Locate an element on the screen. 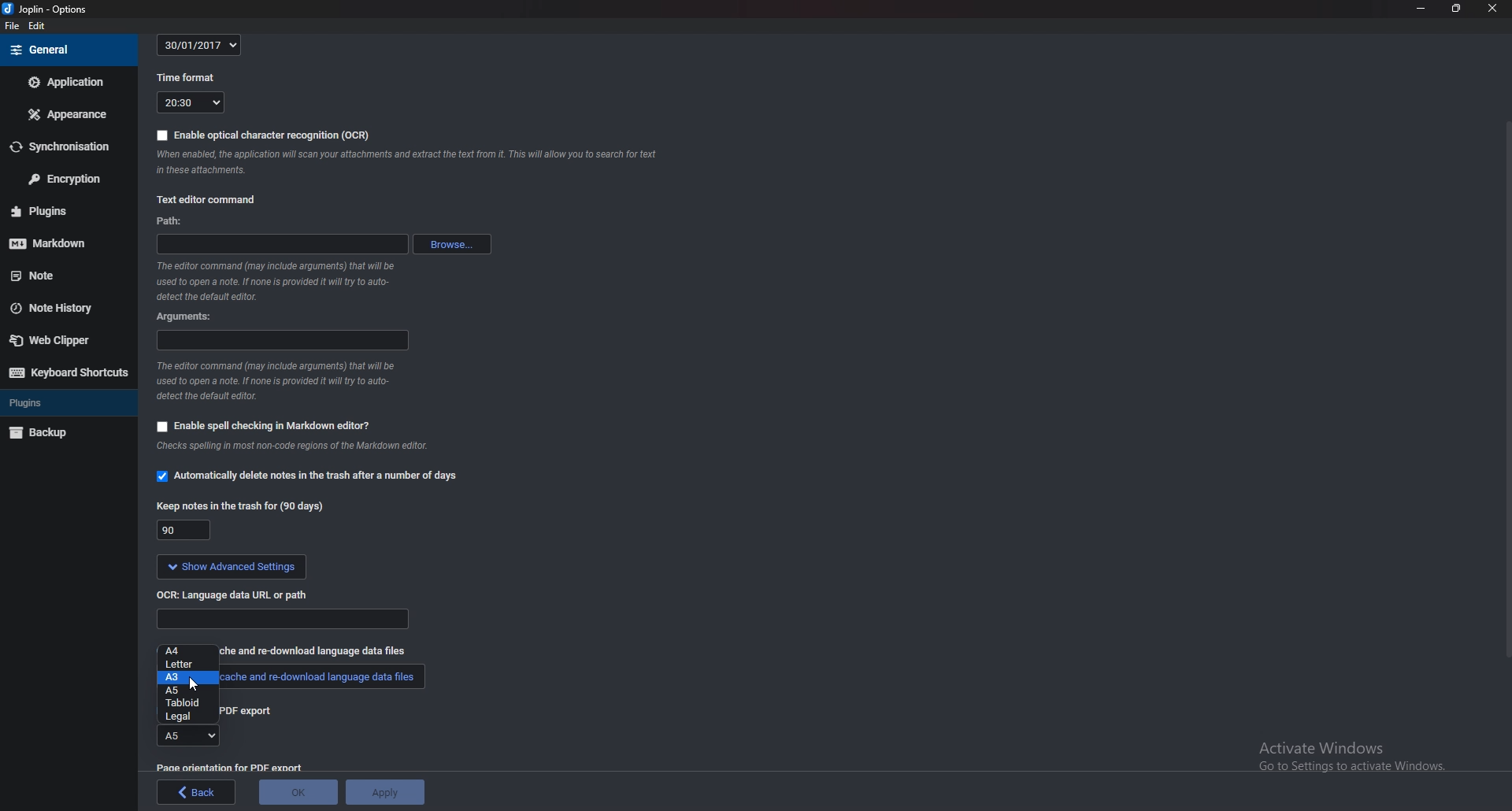 This screenshot has height=811, width=1512. Letter is located at coordinates (185, 664).